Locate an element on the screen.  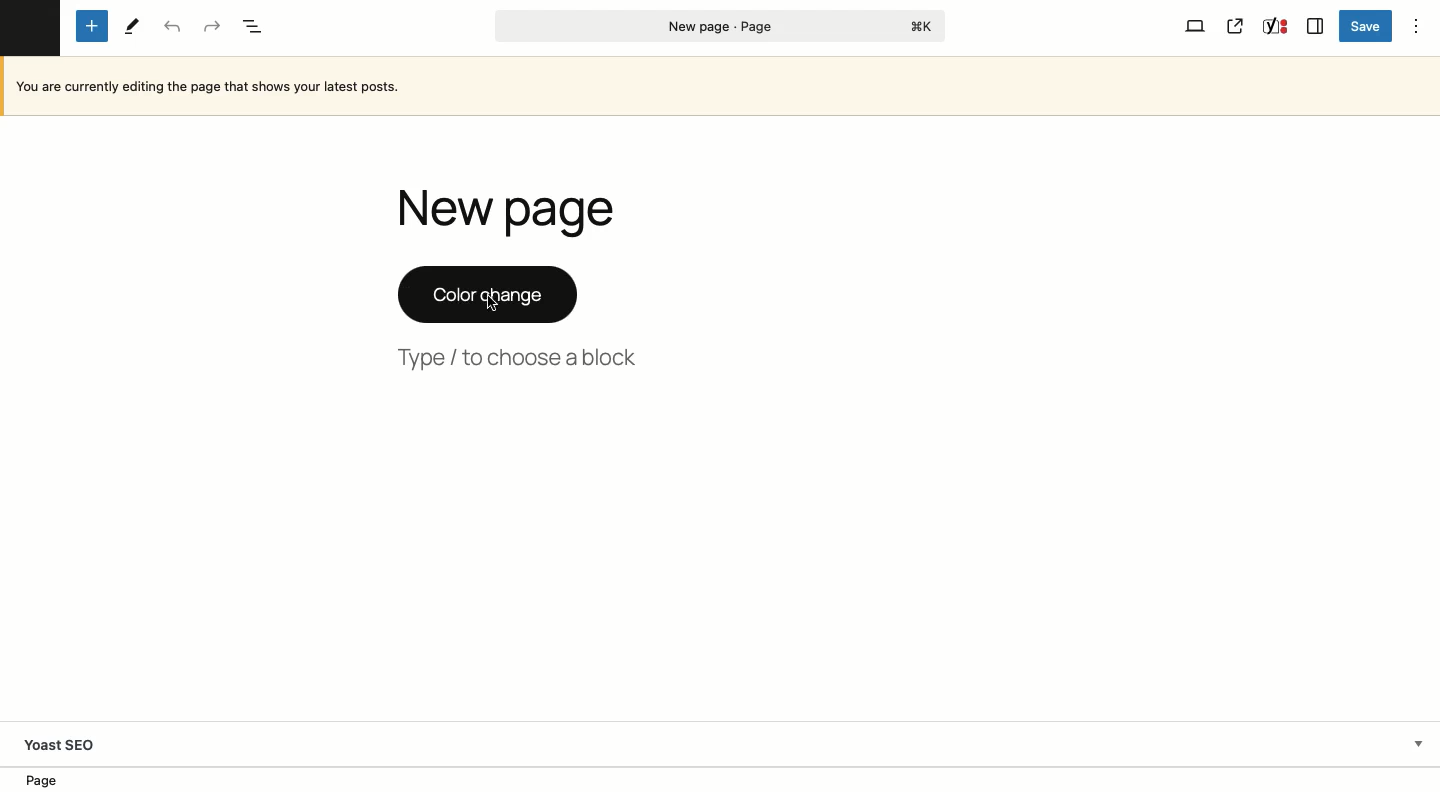
Currently editing the page that show your latest posts is located at coordinates (724, 86).